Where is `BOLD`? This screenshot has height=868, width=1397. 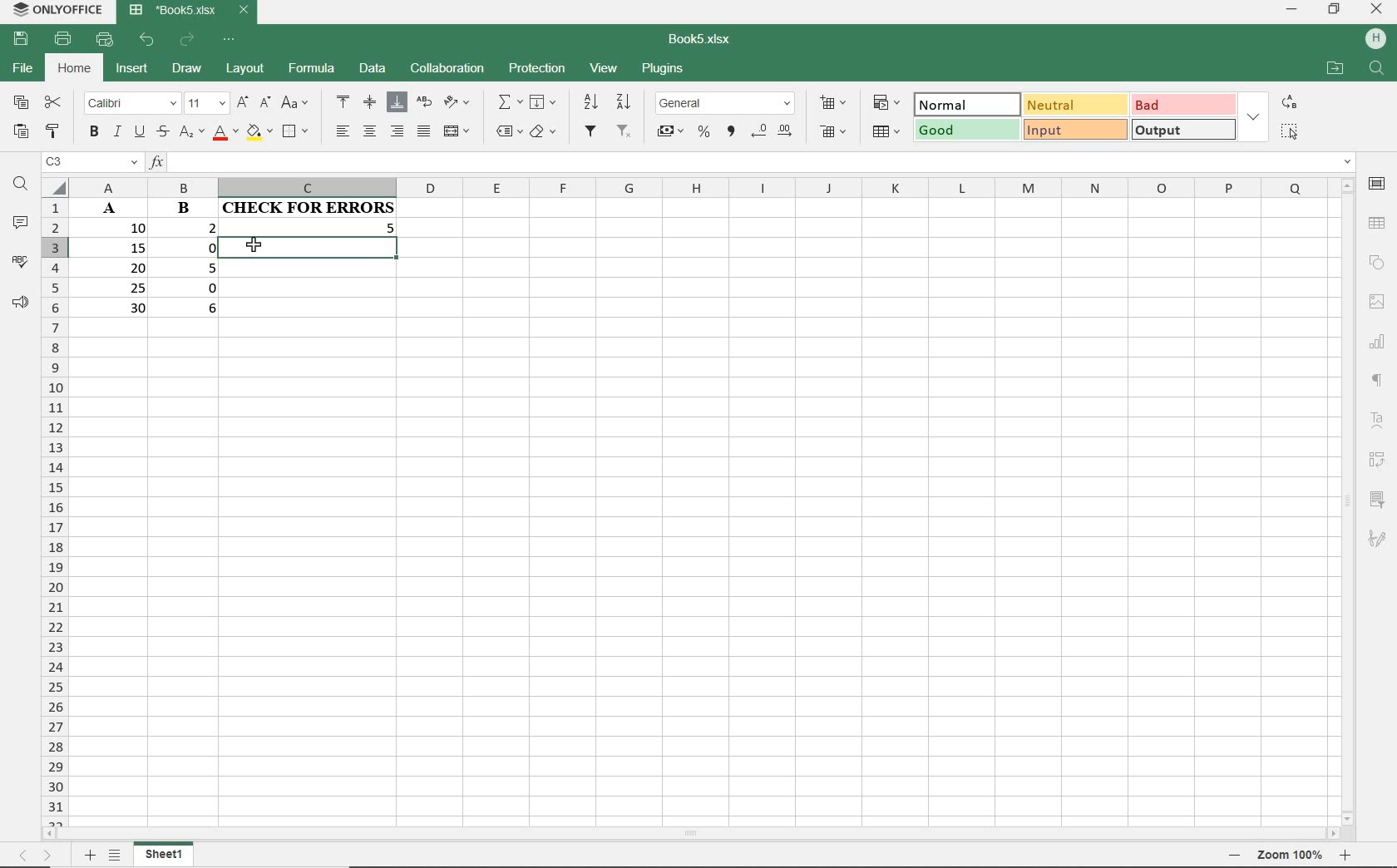
BOLD is located at coordinates (94, 133).